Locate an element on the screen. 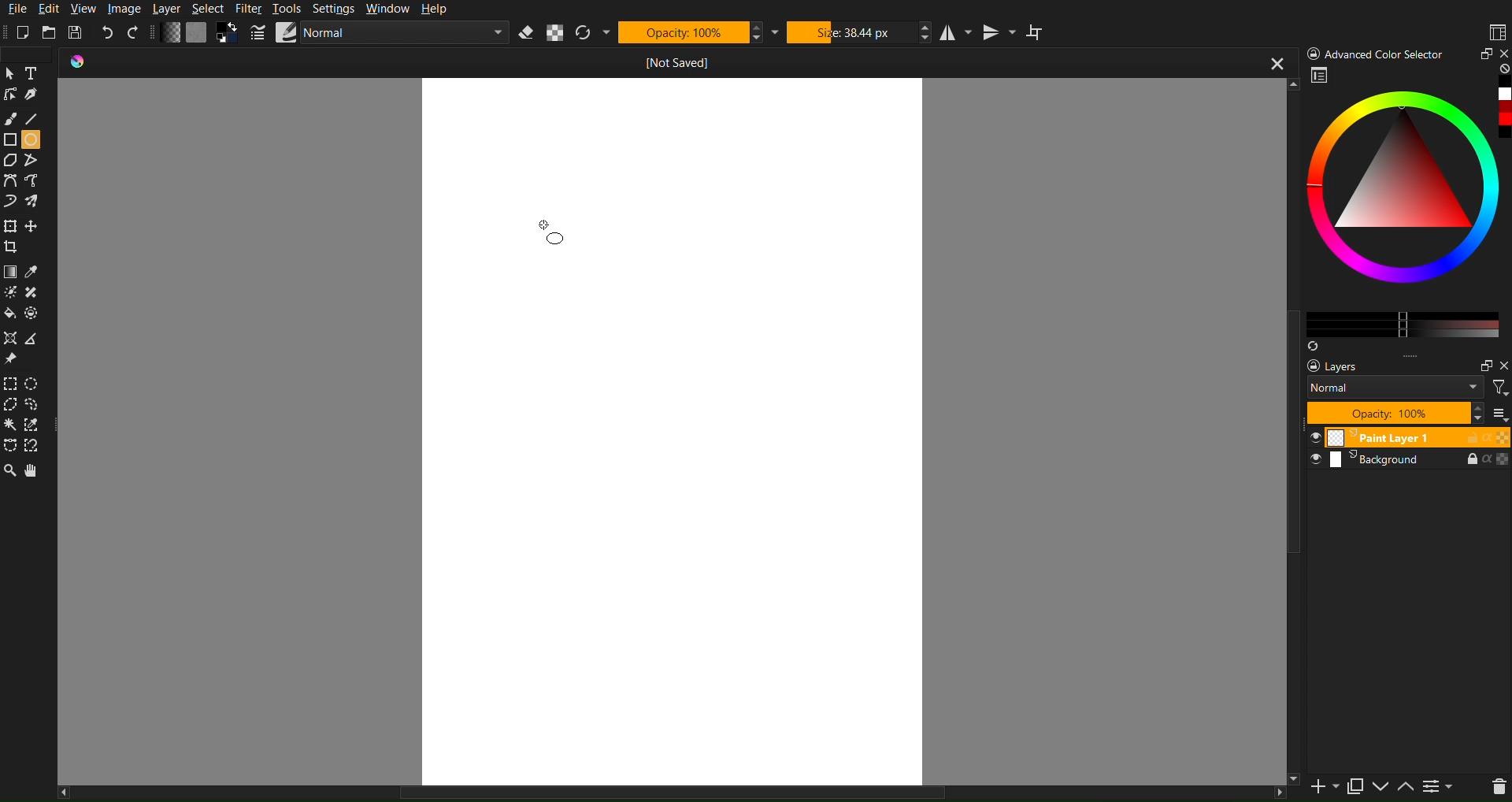  close is located at coordinates (1503, 54).